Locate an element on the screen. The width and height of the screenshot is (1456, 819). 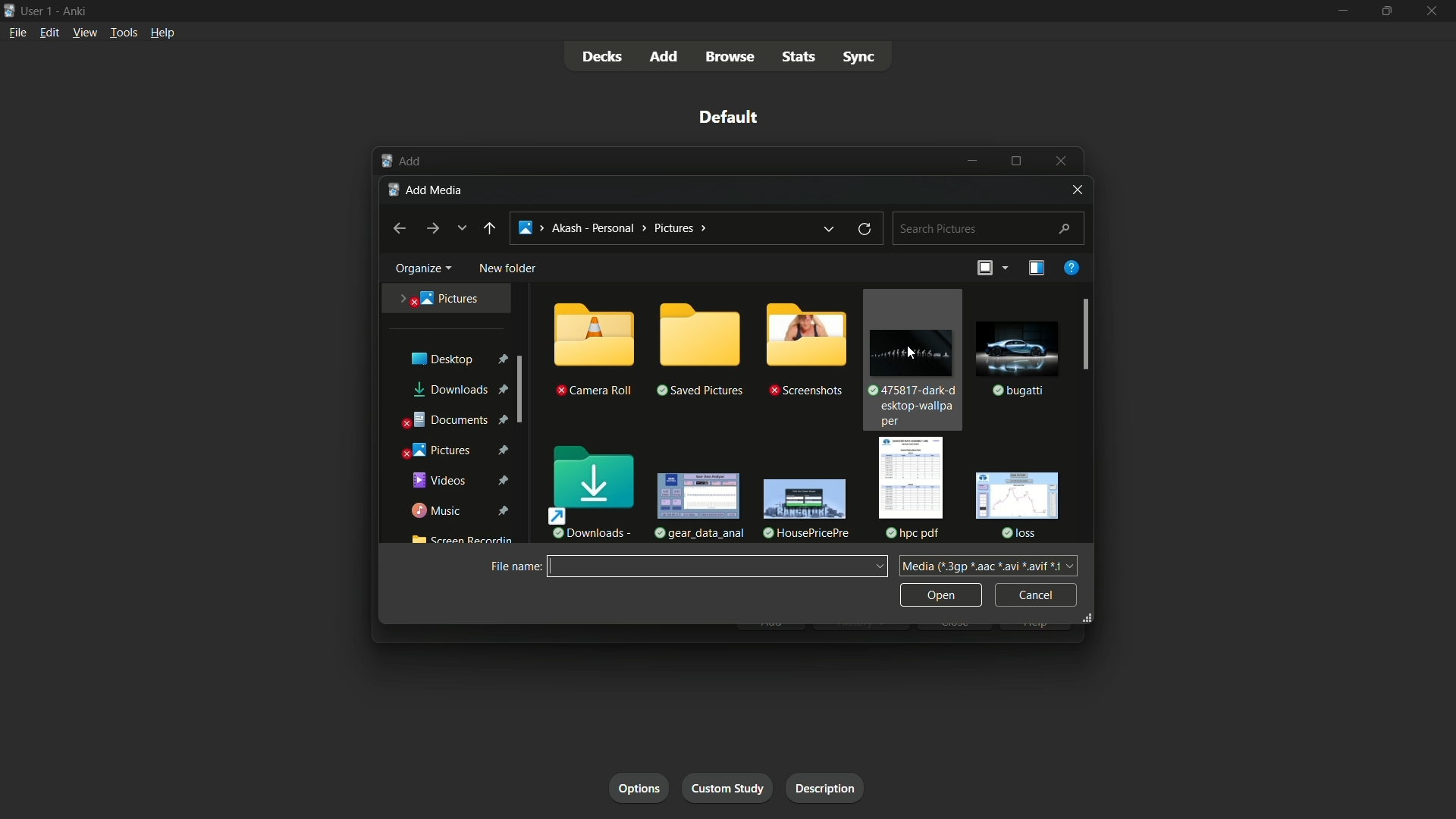
pictures is located at coordinates (440, 297).